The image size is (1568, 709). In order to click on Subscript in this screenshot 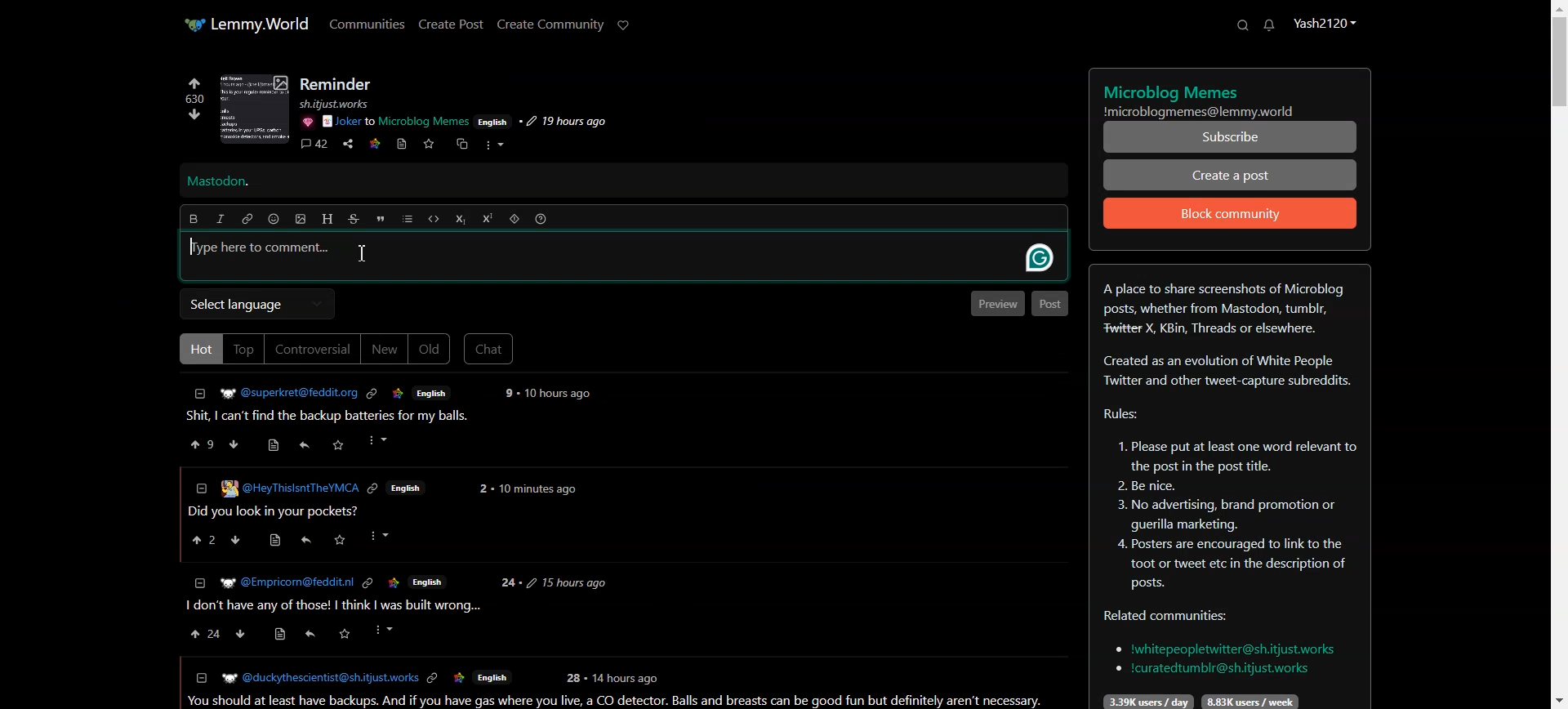, I will do `click(460, 220)`.